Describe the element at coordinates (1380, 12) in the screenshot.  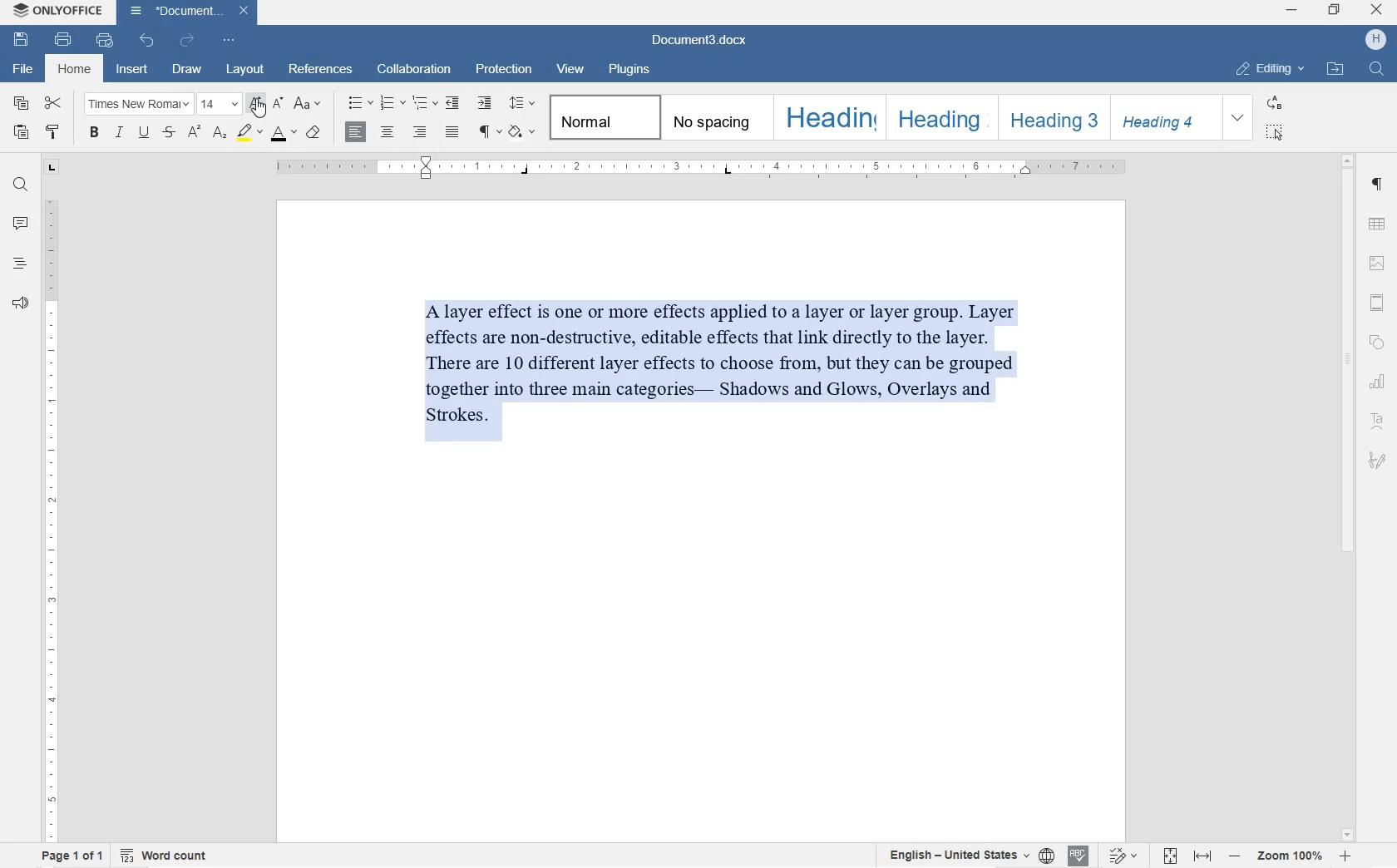
I see `CLOSE` at that location.